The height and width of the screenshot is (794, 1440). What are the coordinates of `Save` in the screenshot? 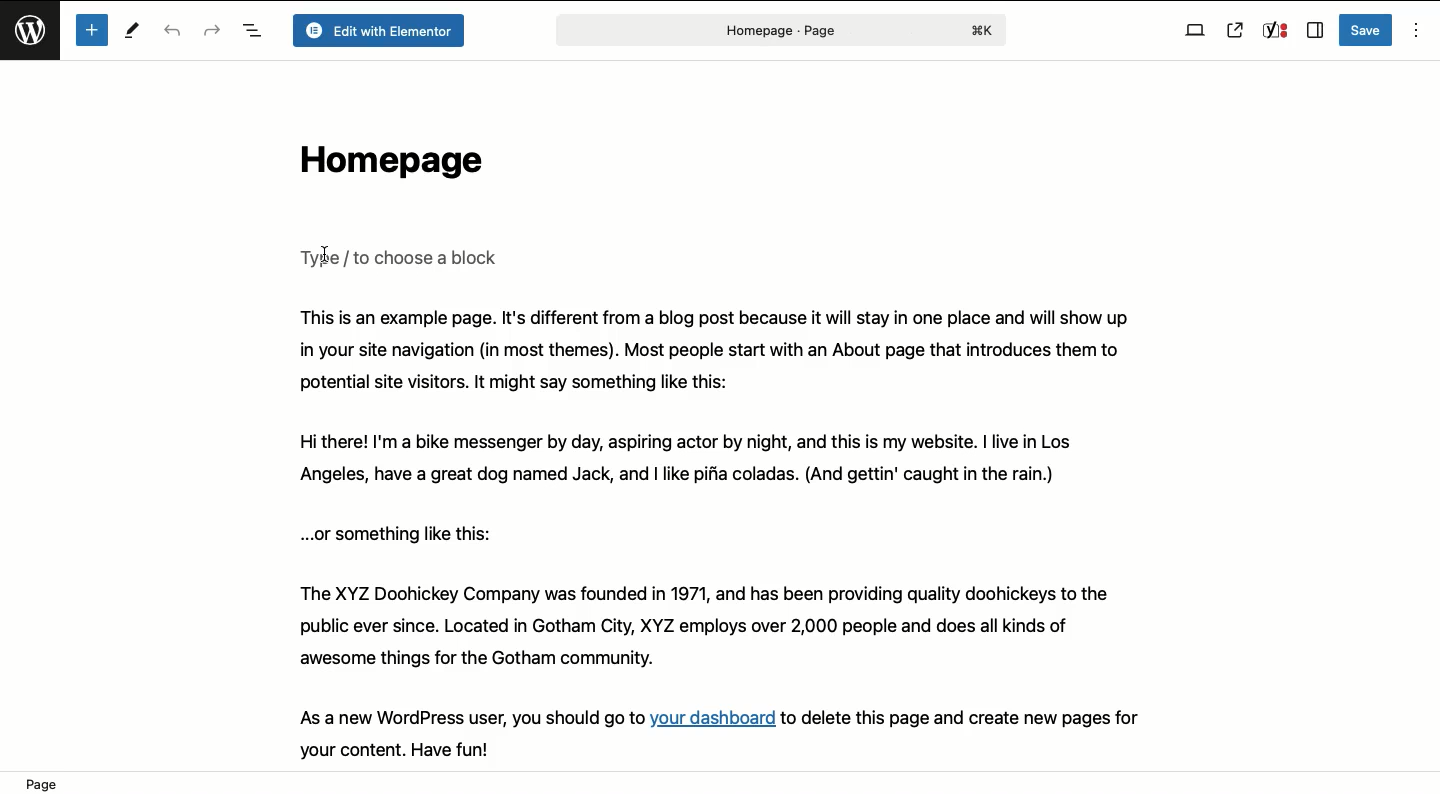 It's located at (1367, 30).